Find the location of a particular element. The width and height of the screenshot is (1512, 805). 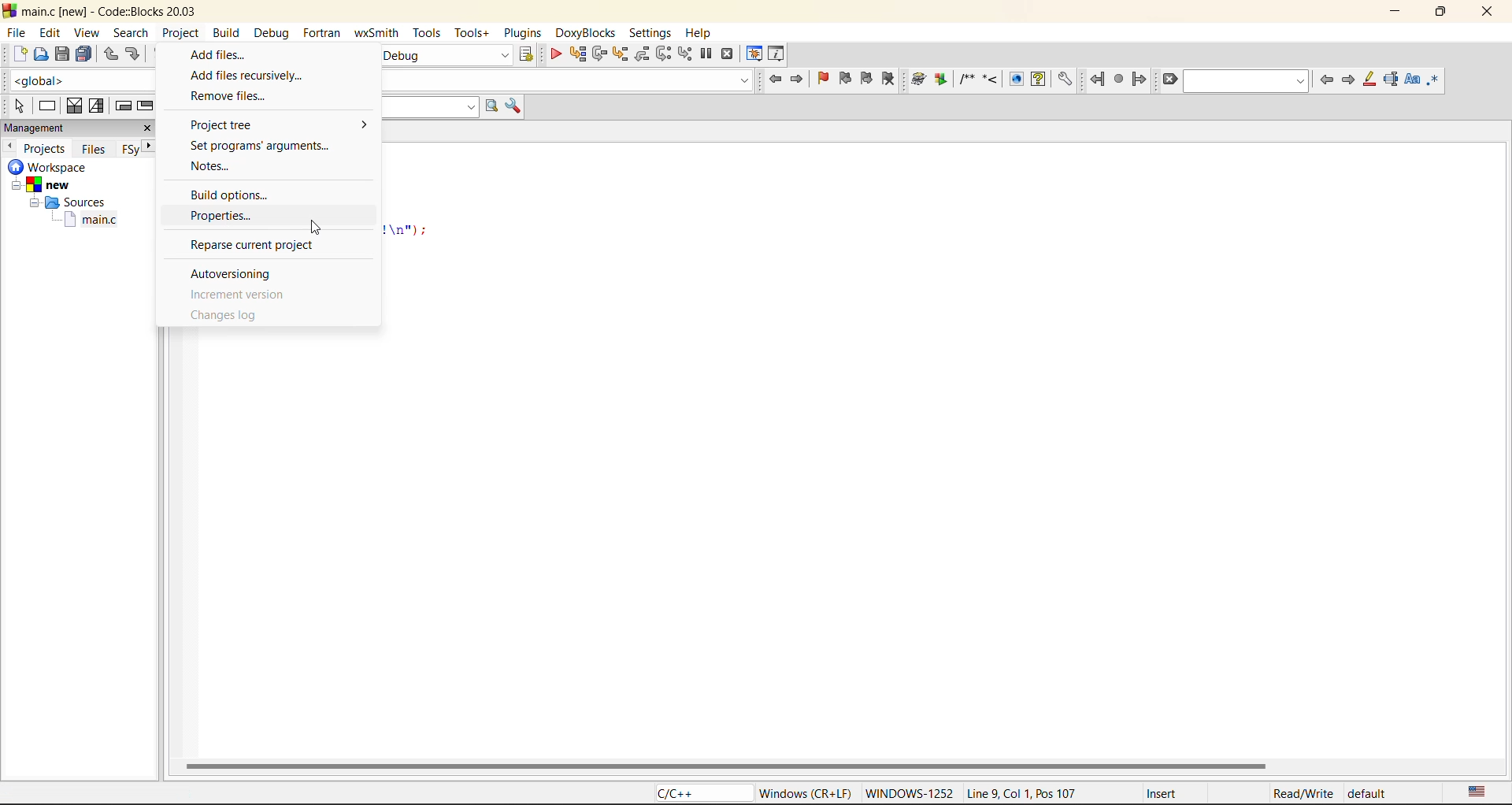

break debugger is located at coordinates (707, 54).